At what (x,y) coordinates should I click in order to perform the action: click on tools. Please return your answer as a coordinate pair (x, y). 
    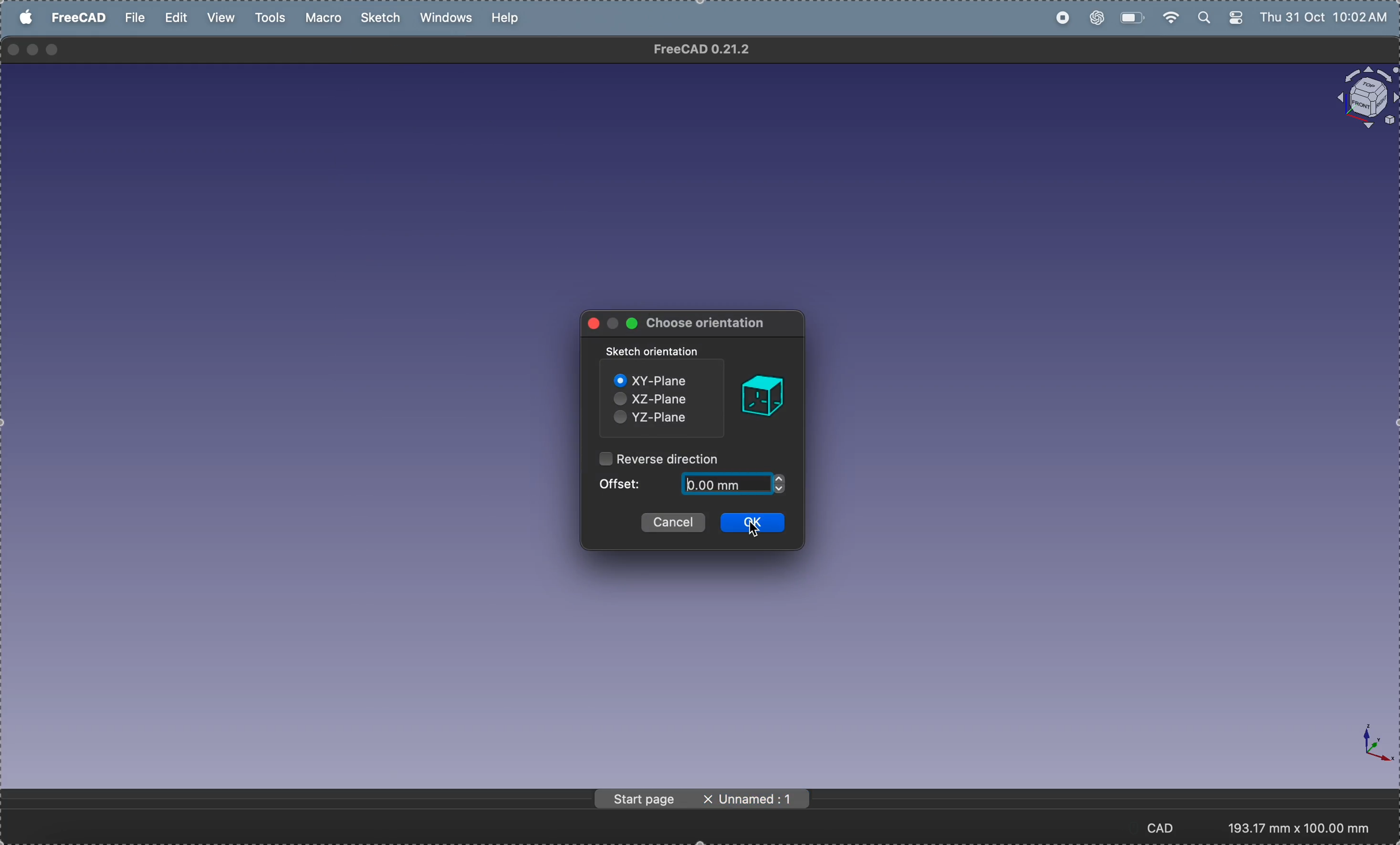
    Looking at the image, I should click on (273, 18).